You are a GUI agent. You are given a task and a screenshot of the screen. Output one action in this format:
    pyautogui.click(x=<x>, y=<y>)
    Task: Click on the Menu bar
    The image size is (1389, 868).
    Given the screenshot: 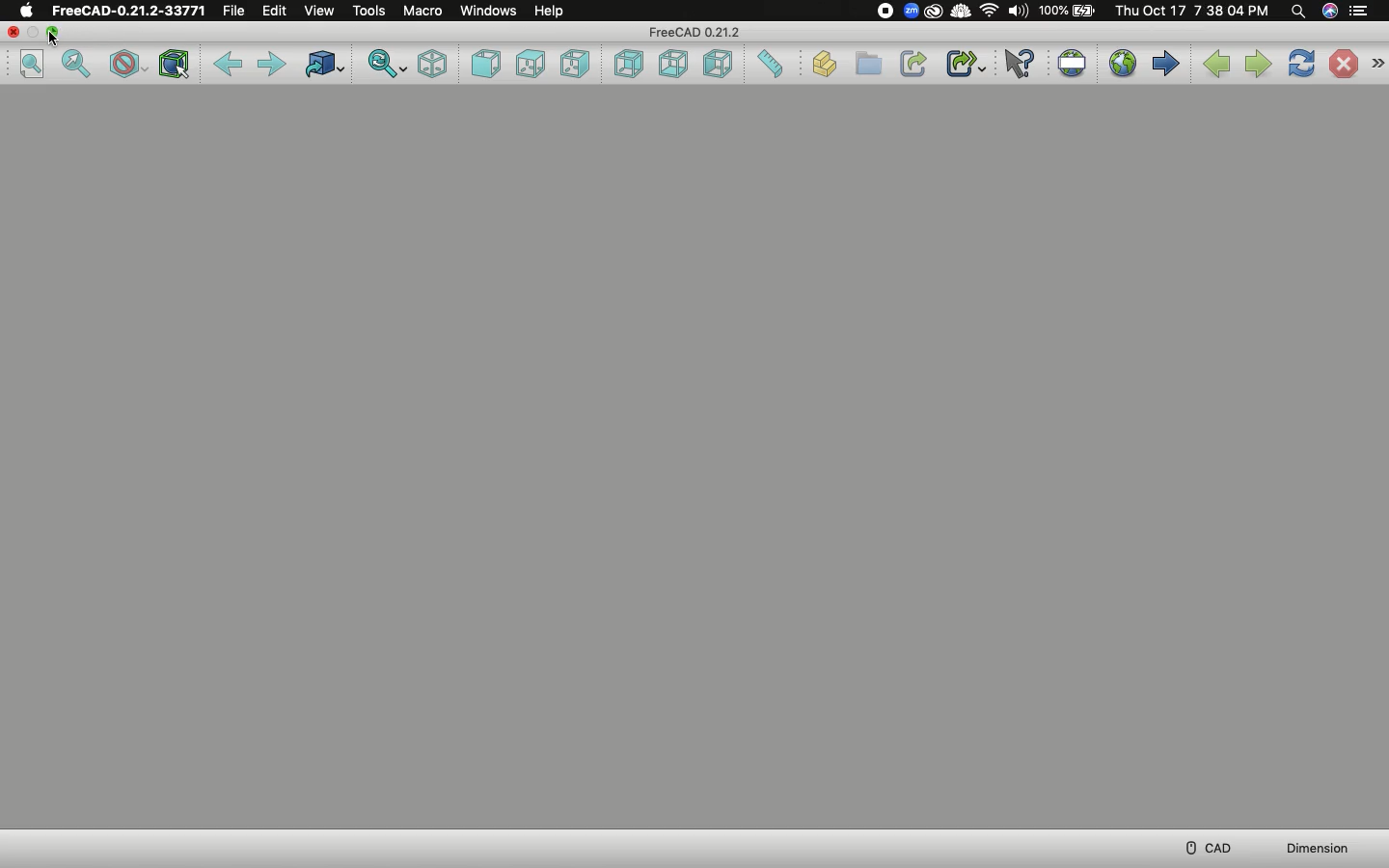 What is the action you would take?
    pyautogui.click(x=1358, y=11)
    